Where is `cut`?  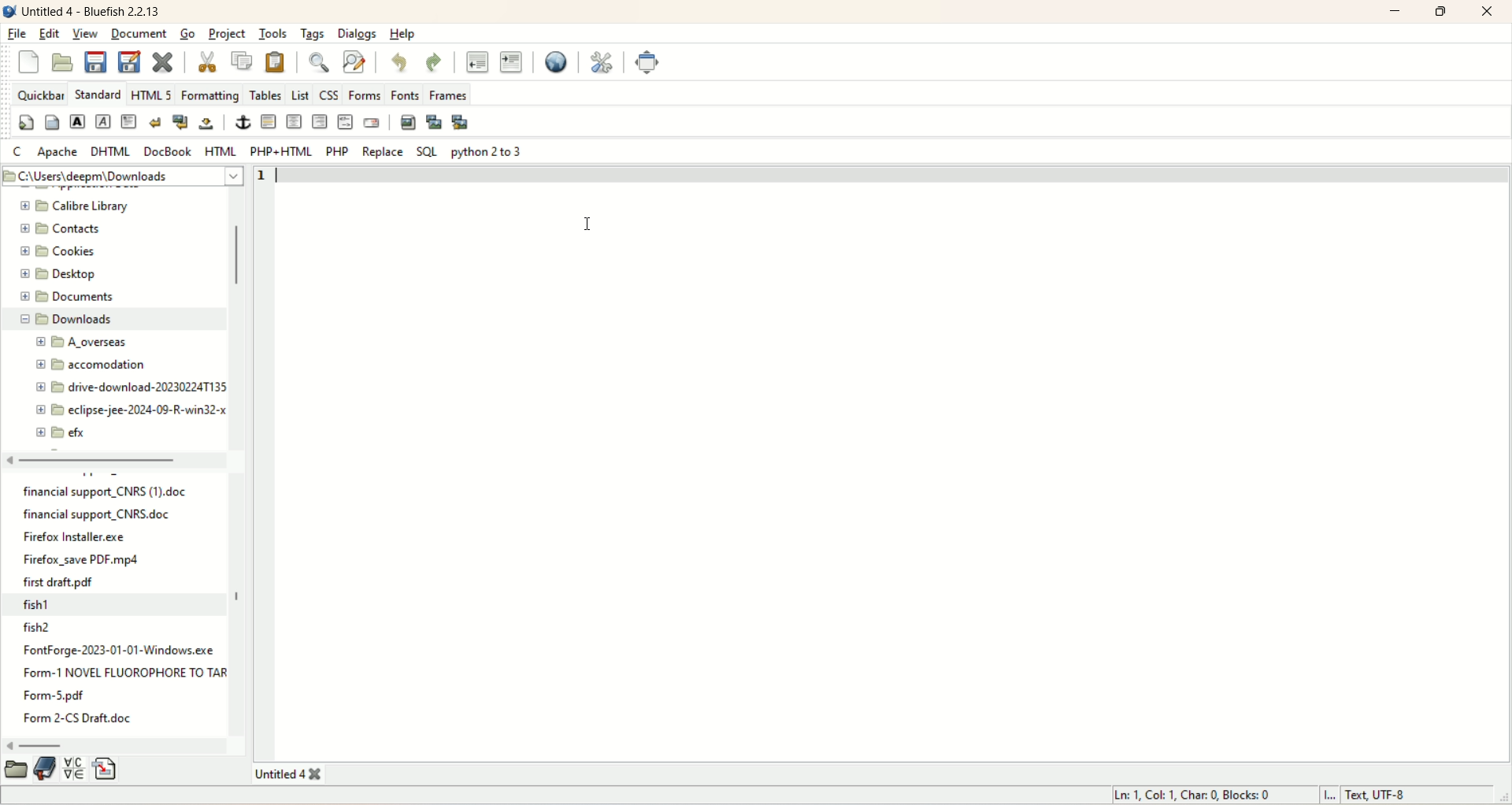 cut is located at coordinates (209, 61).